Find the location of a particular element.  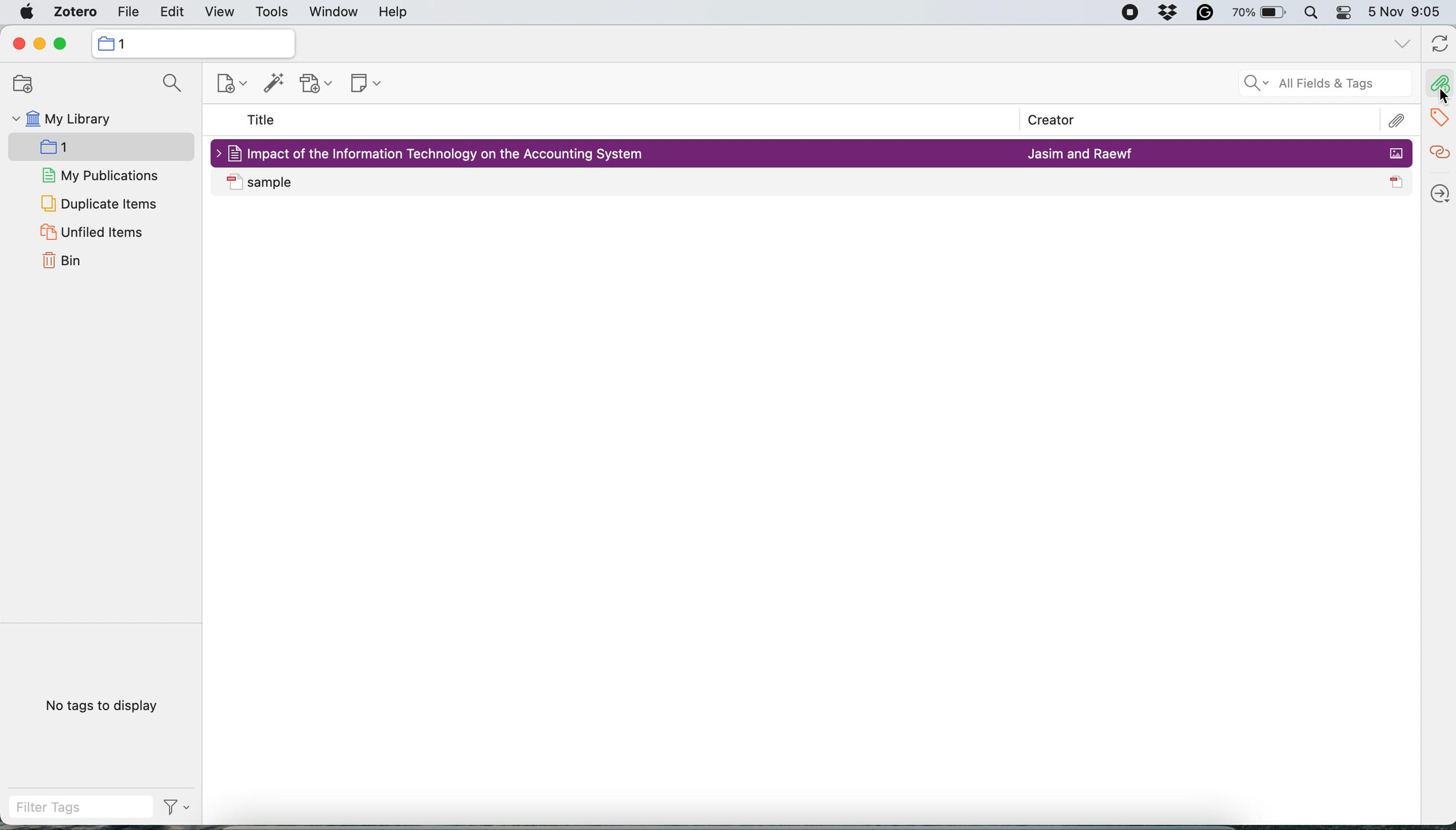

zotero is located at coordinates (71, 14).